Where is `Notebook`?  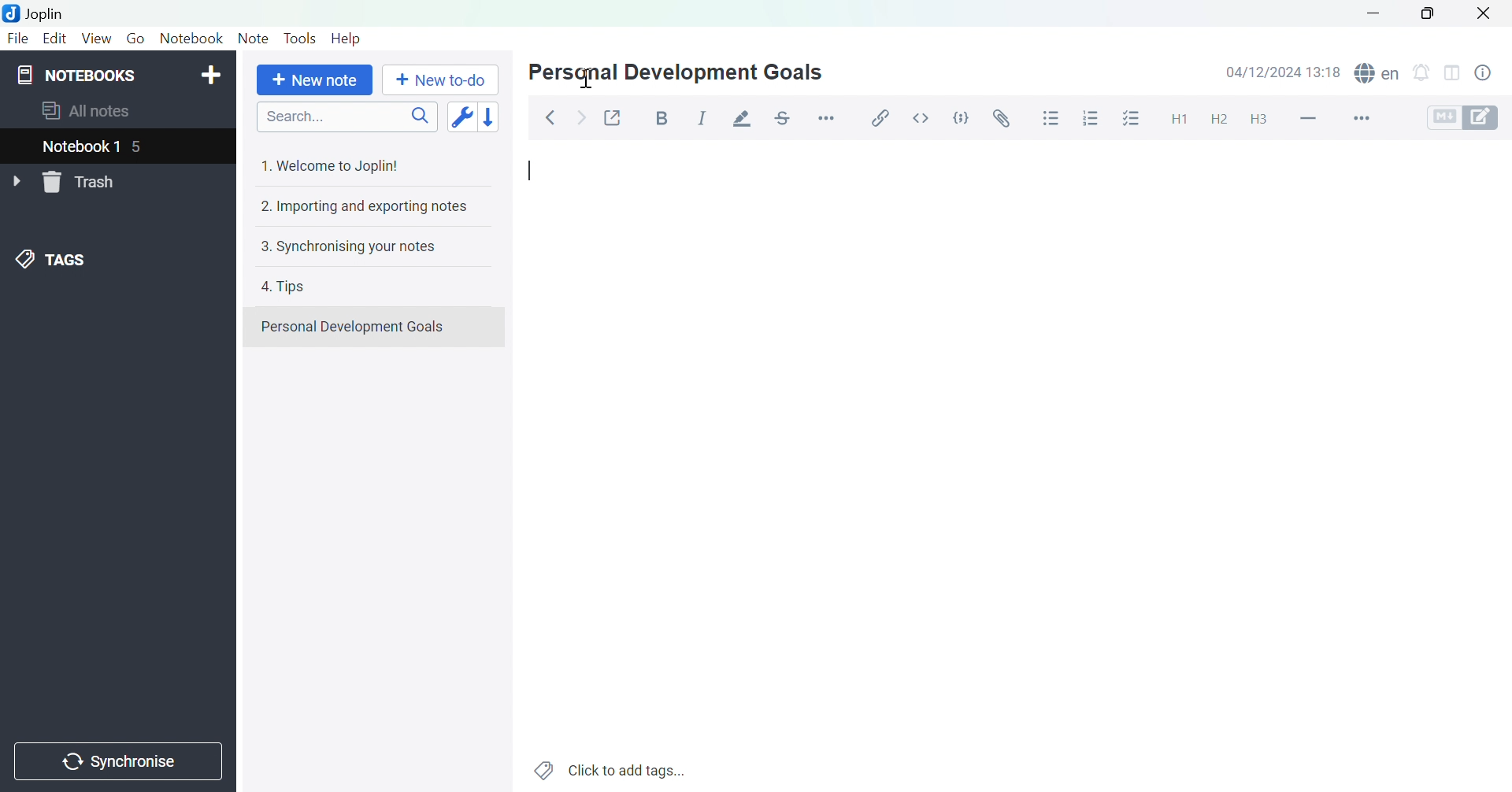
Notebook is located at coordinates (193, 41).